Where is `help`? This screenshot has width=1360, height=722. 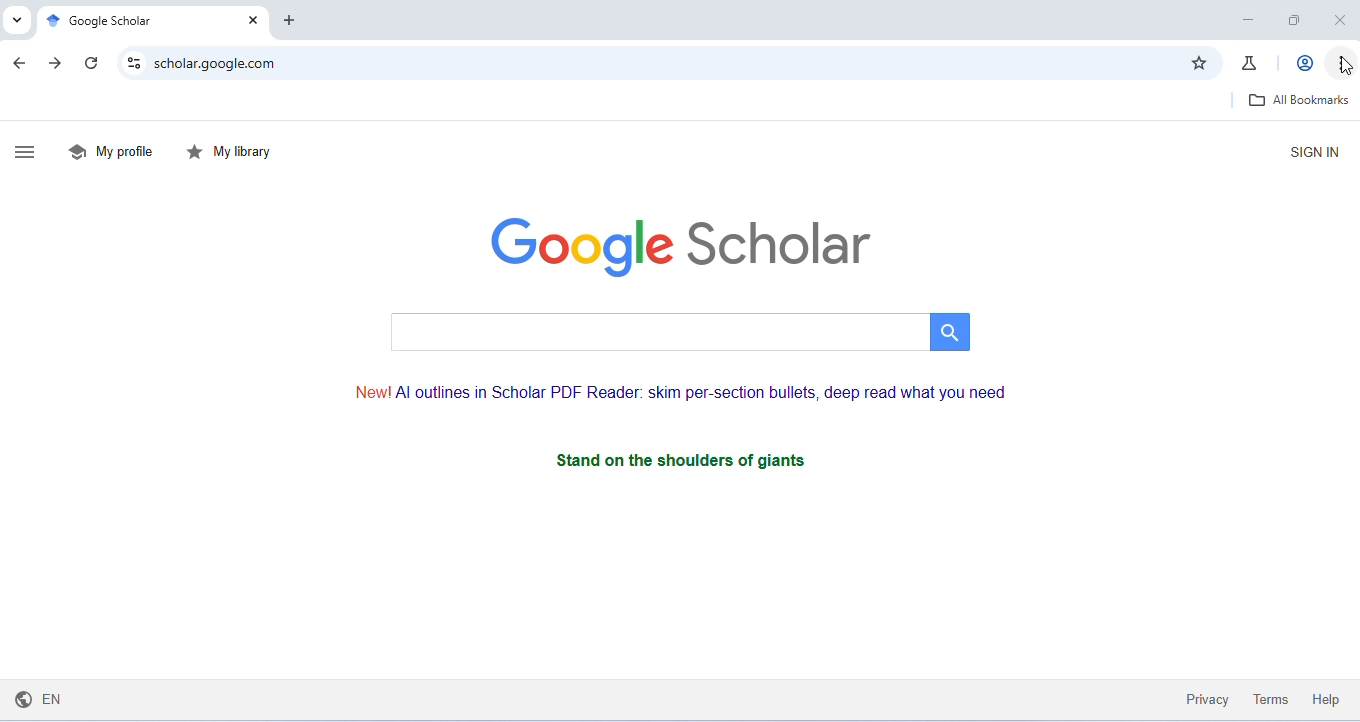 help is located at coordinates (1326, 699).